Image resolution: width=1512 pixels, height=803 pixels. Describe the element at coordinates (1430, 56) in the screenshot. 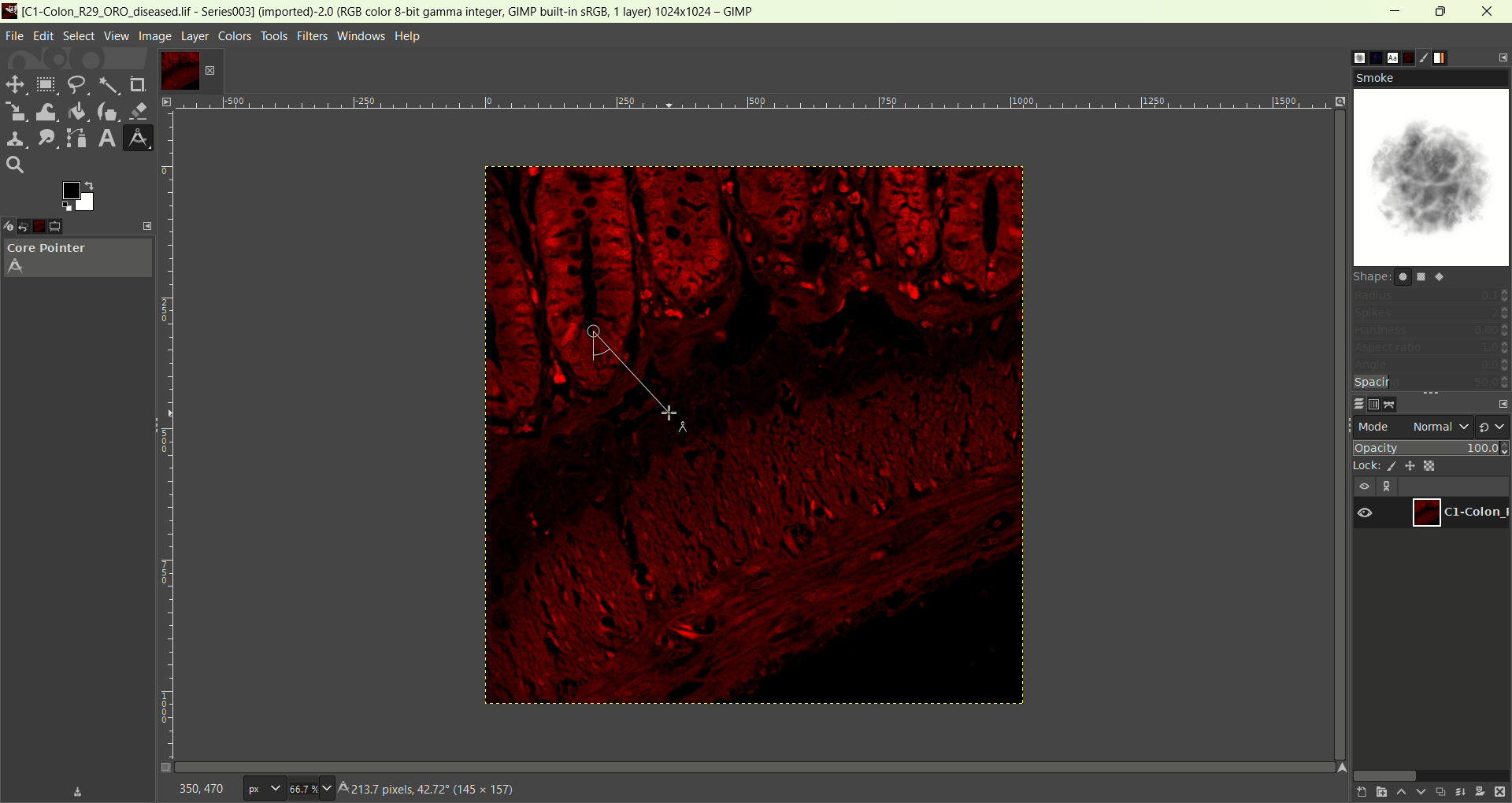

I see `brush` at that location.